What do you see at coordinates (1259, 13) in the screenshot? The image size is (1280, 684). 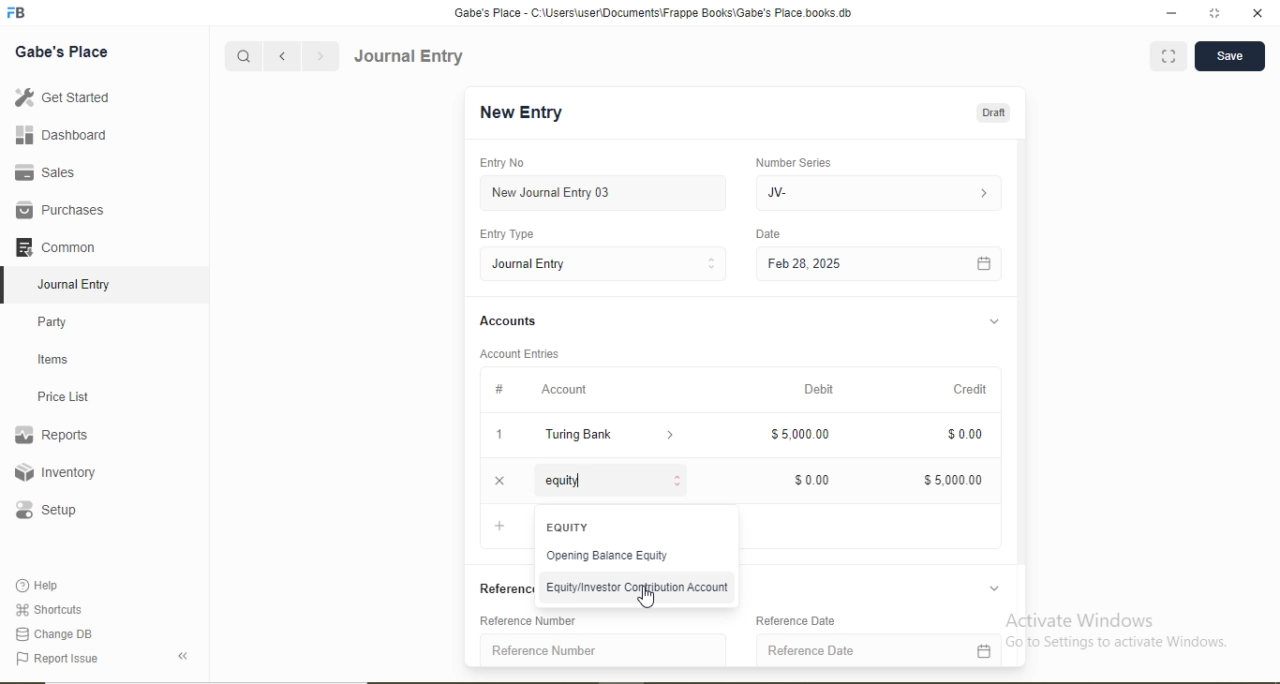 I see `close` at bounding box center [1259, 13].